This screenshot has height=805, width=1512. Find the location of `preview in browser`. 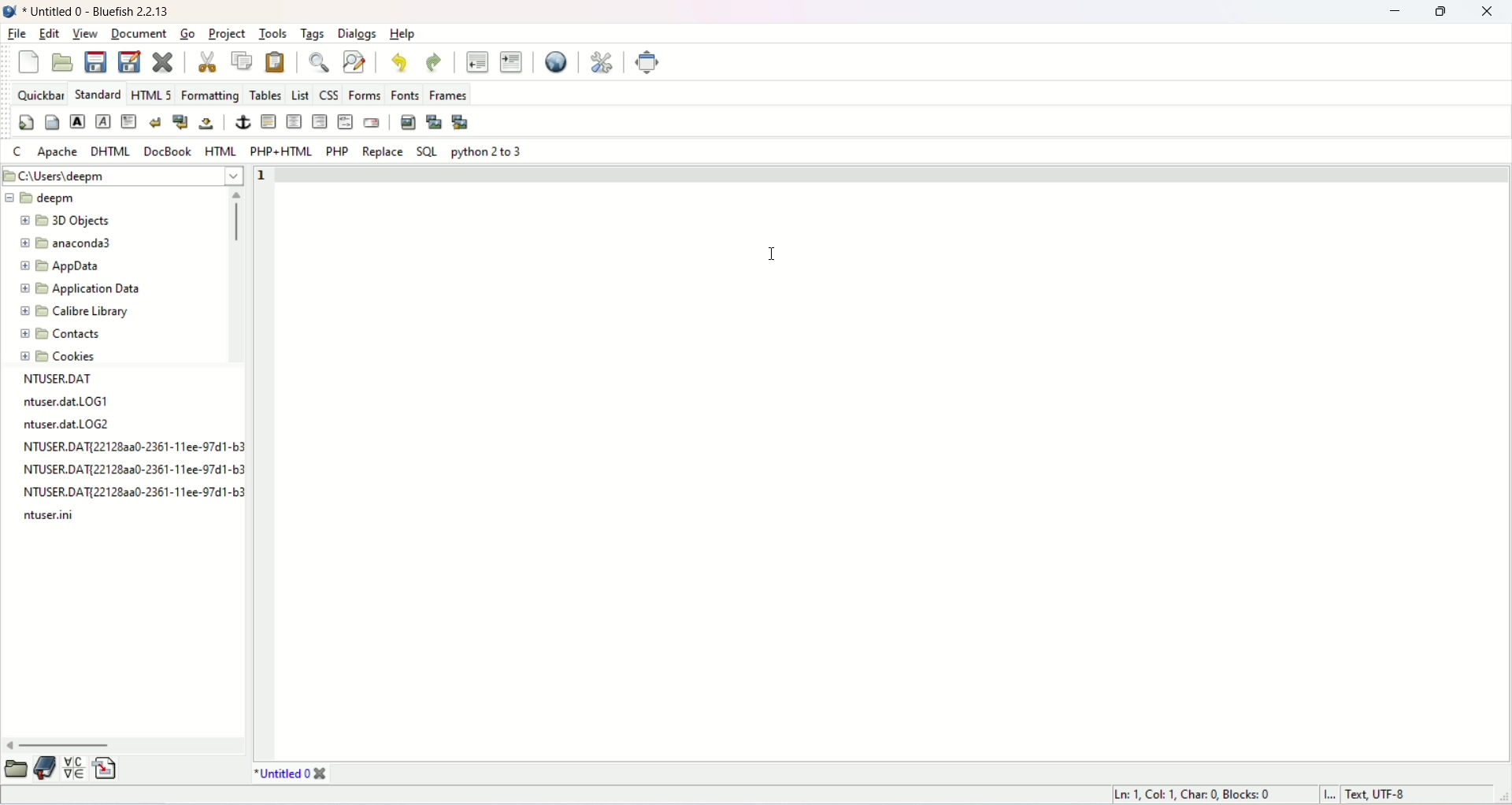

preview in browser is located at coordinates (548, 62).